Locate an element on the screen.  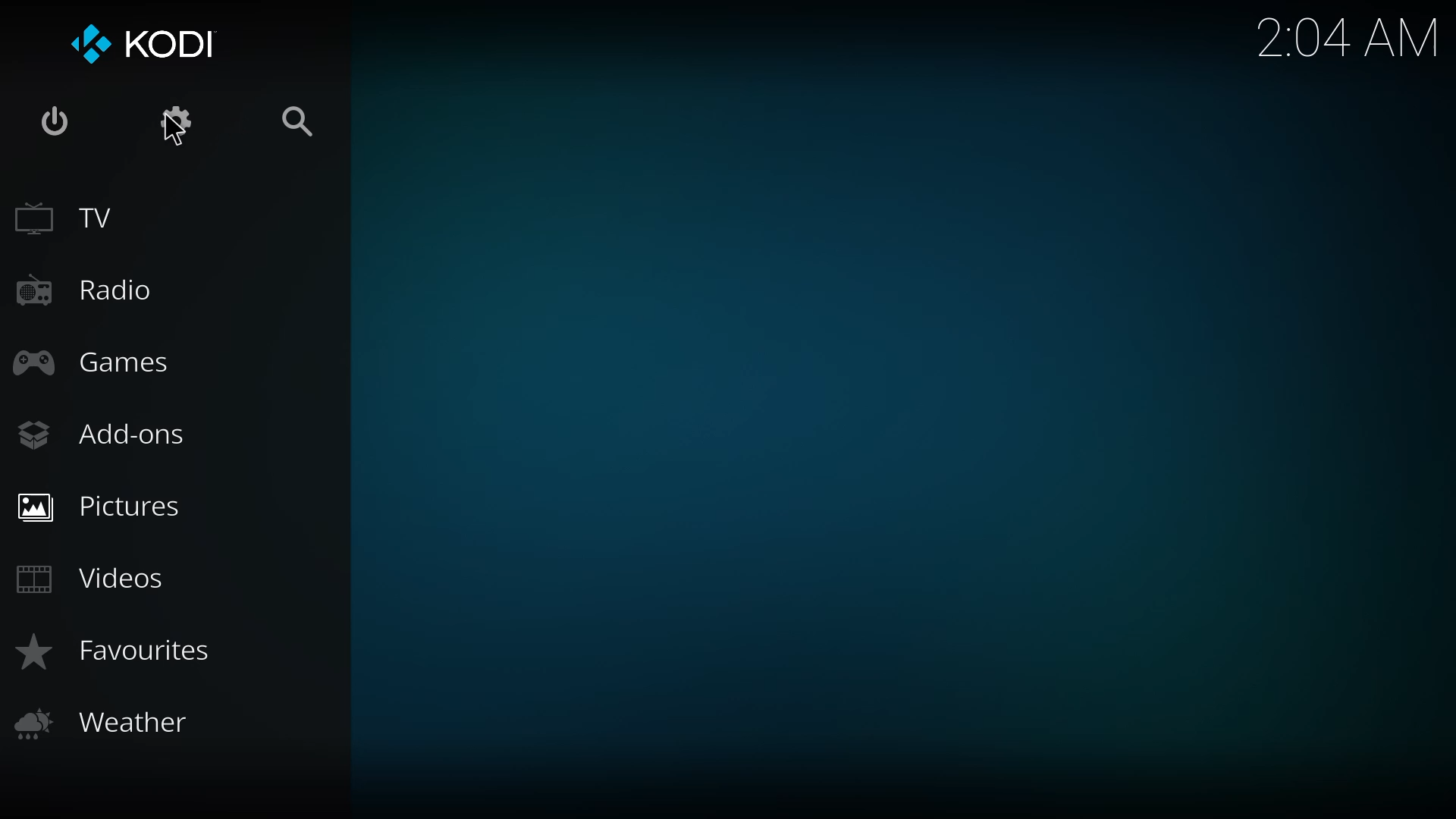
cursor is located at coordinates (177, 133).